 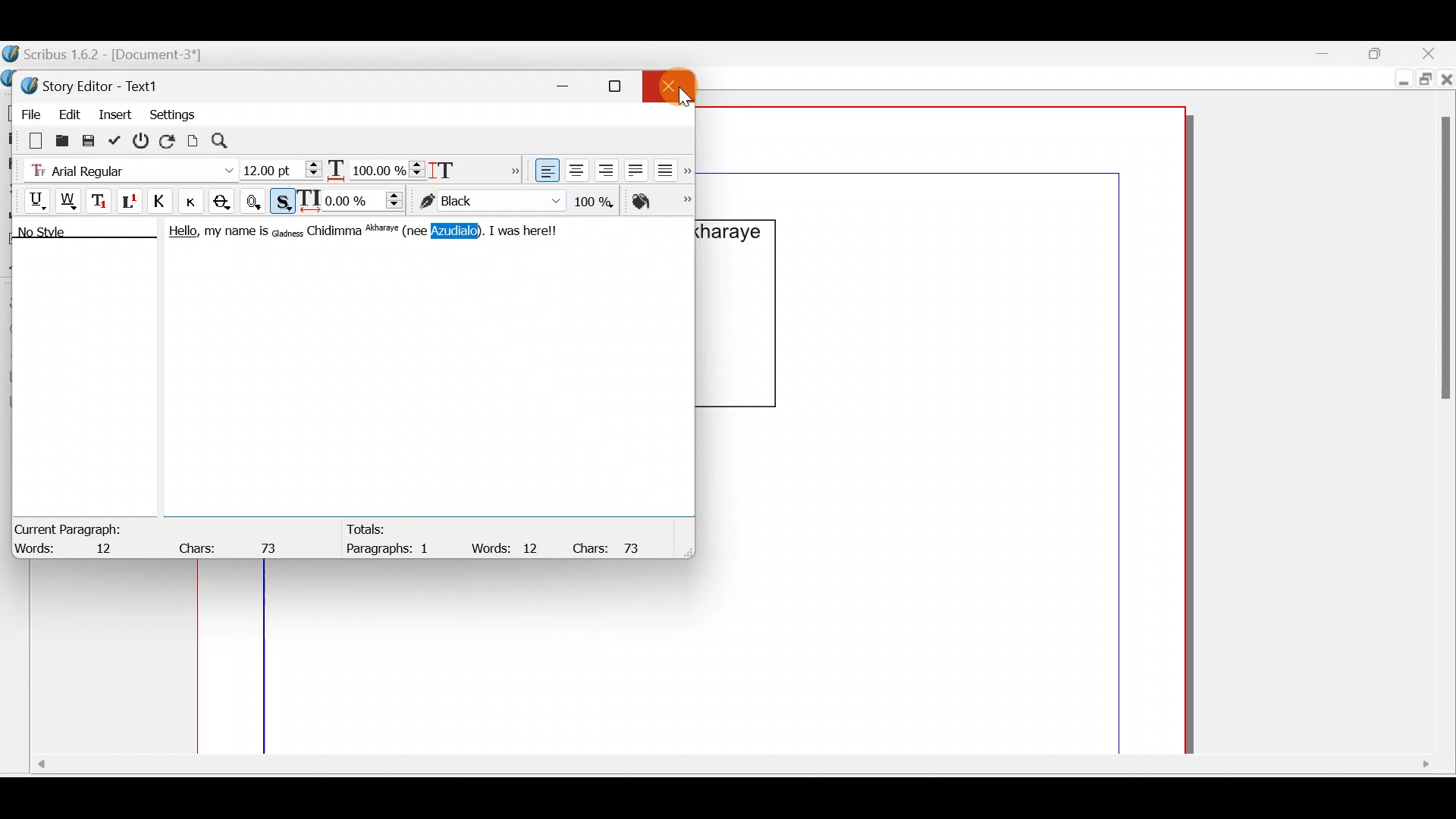 What do you see at coordinates (1334, 54) in the screenshot?
I see `Minimize` at bounding box center [1334, 54].